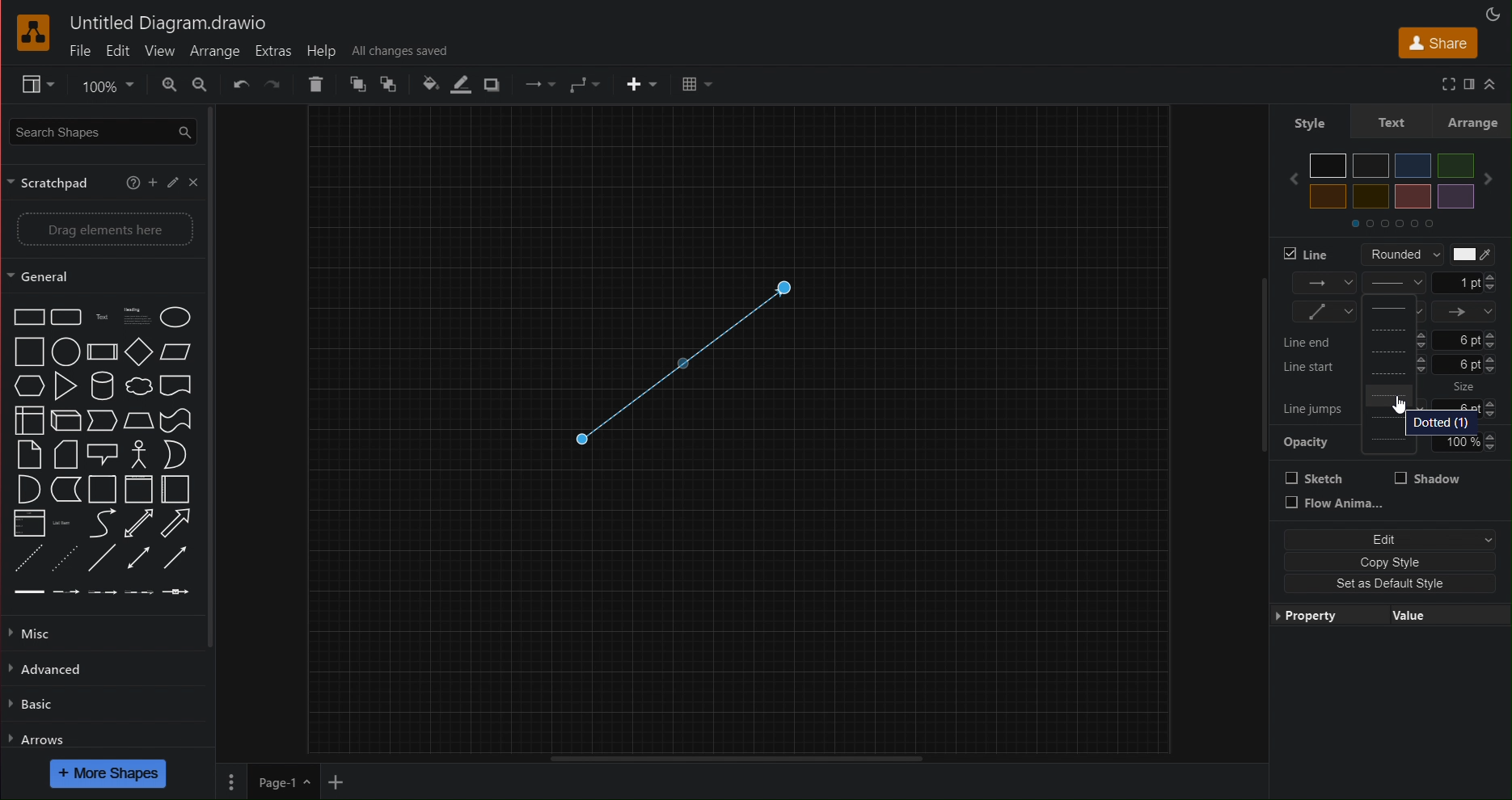  Describe the element at coordinates (241, 85) in the screenshot. I see `Undo` at that location.